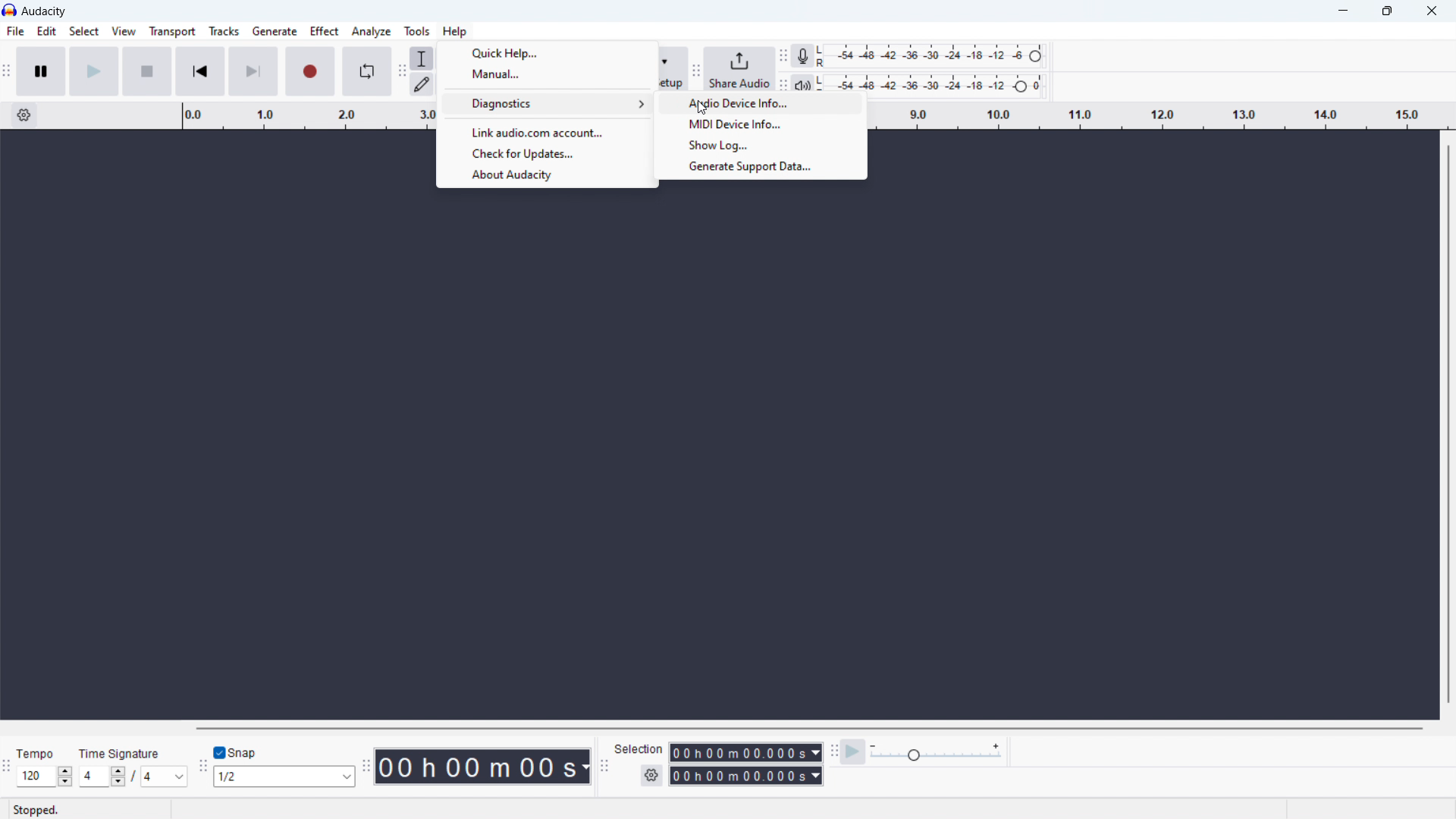 This screenshot has width=1456, height=819. What do you see at coordinates (366, 767) in the screenshot?
I see `time toolbar` at bounding box center [366, 767].